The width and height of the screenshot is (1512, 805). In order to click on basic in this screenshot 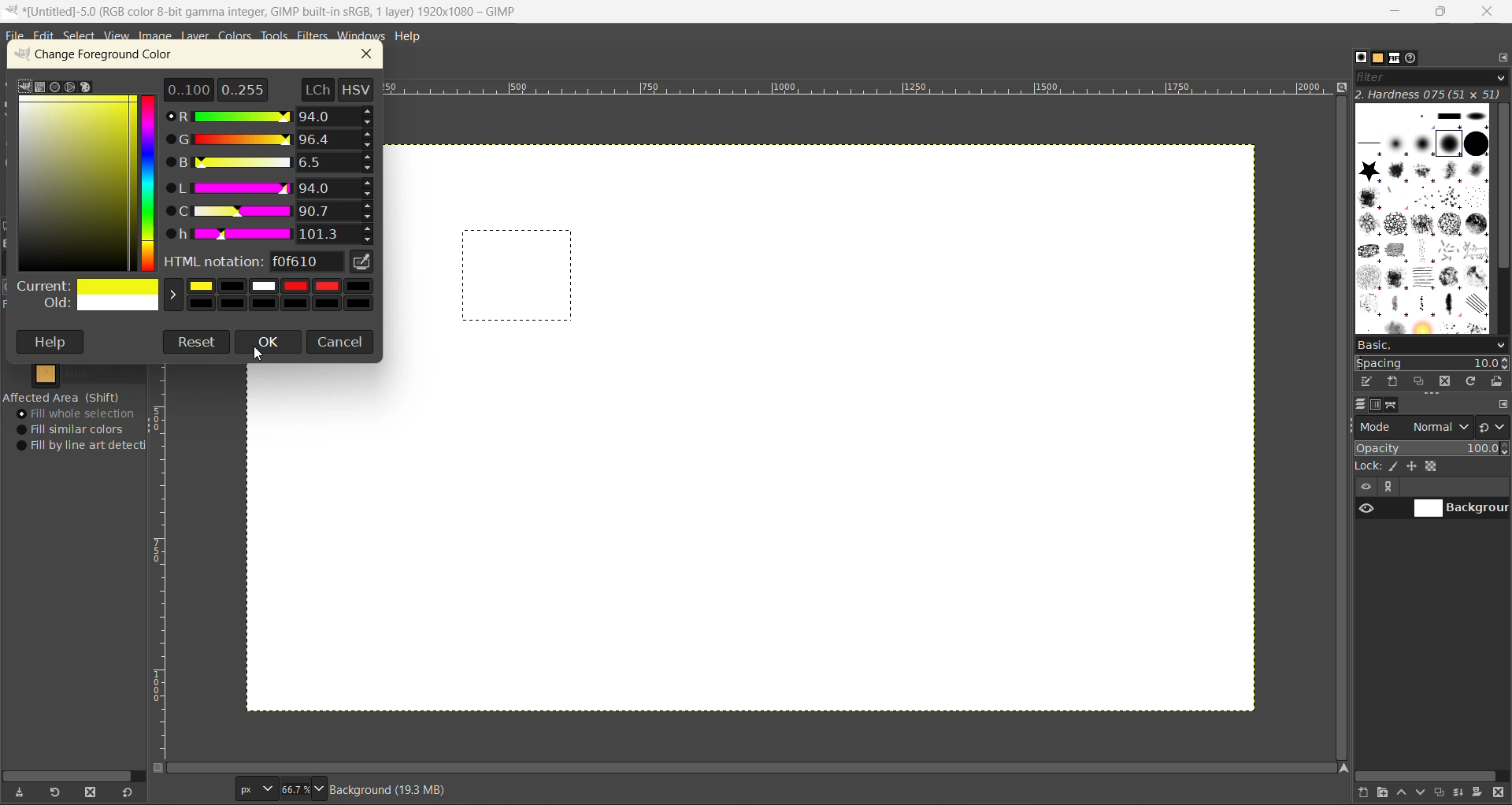, I will do `click(1430, 343)`.